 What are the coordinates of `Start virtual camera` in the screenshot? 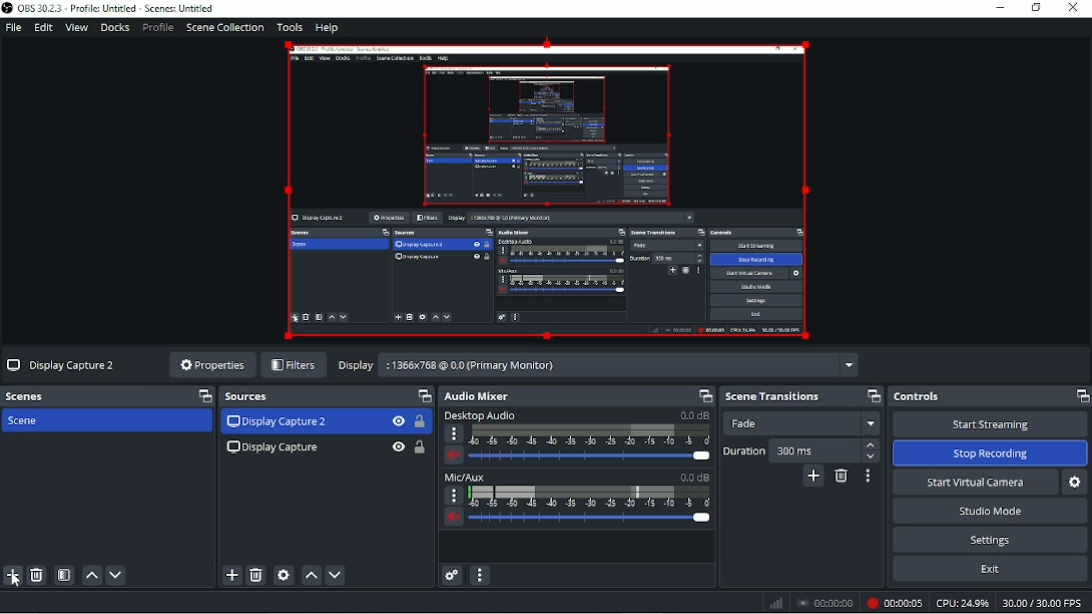 It's located at (974, 483).